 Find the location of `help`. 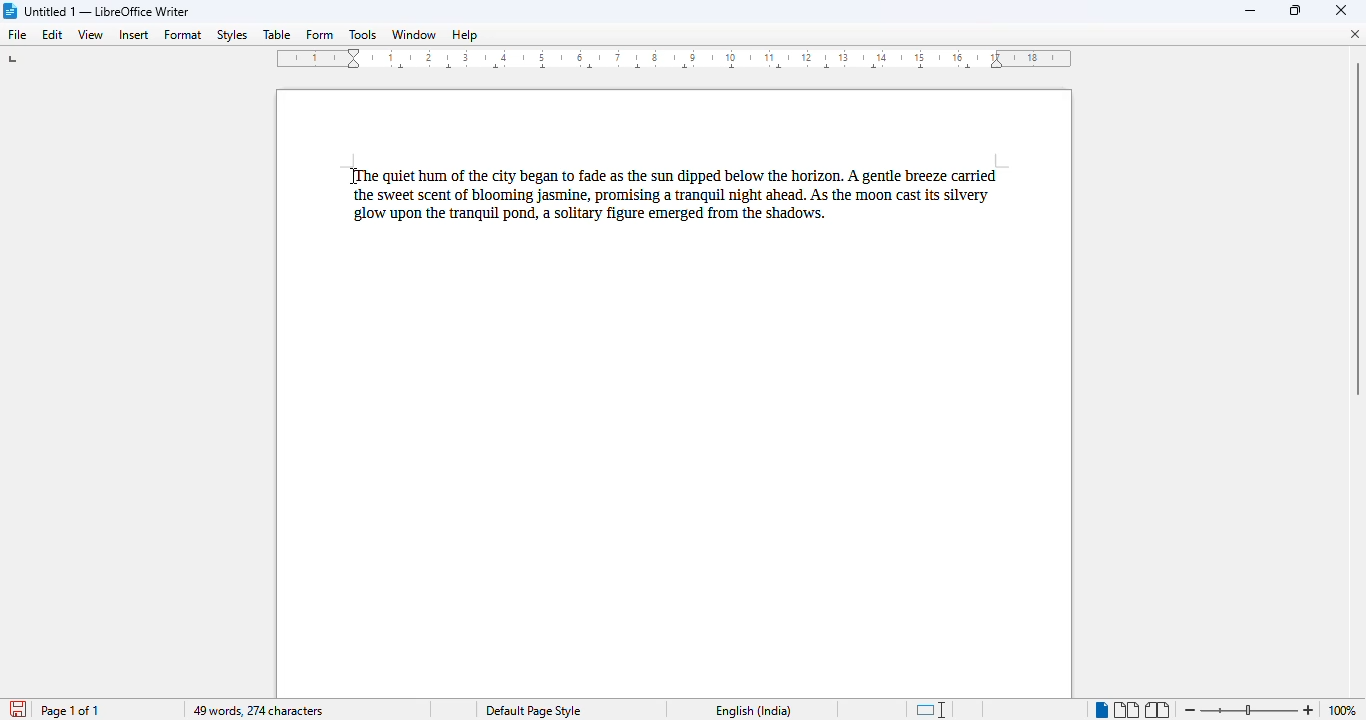

help is located at coordinates (467, 34).